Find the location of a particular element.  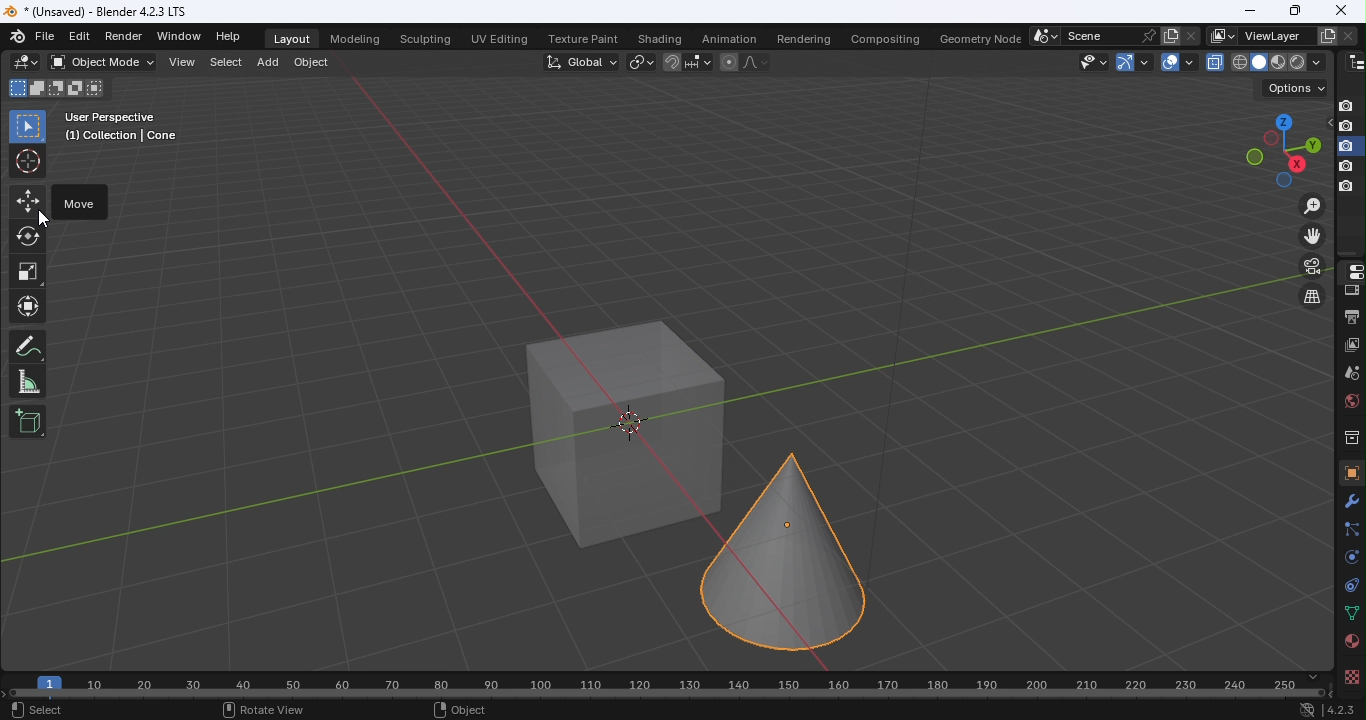

Remove view layer is located at coordinates (1348, 33).